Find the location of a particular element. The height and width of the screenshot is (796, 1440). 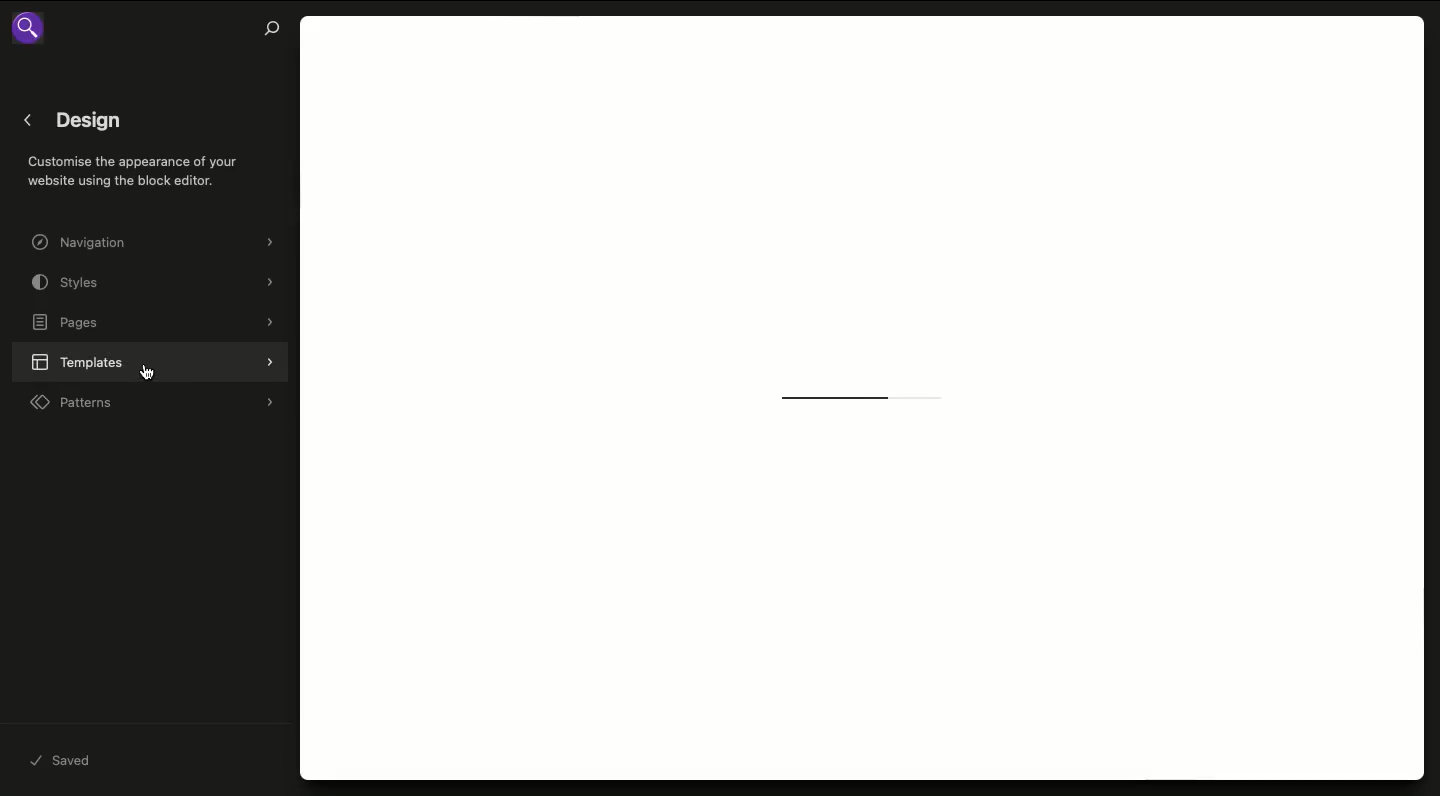

Search is located at coordinates (274, 33).